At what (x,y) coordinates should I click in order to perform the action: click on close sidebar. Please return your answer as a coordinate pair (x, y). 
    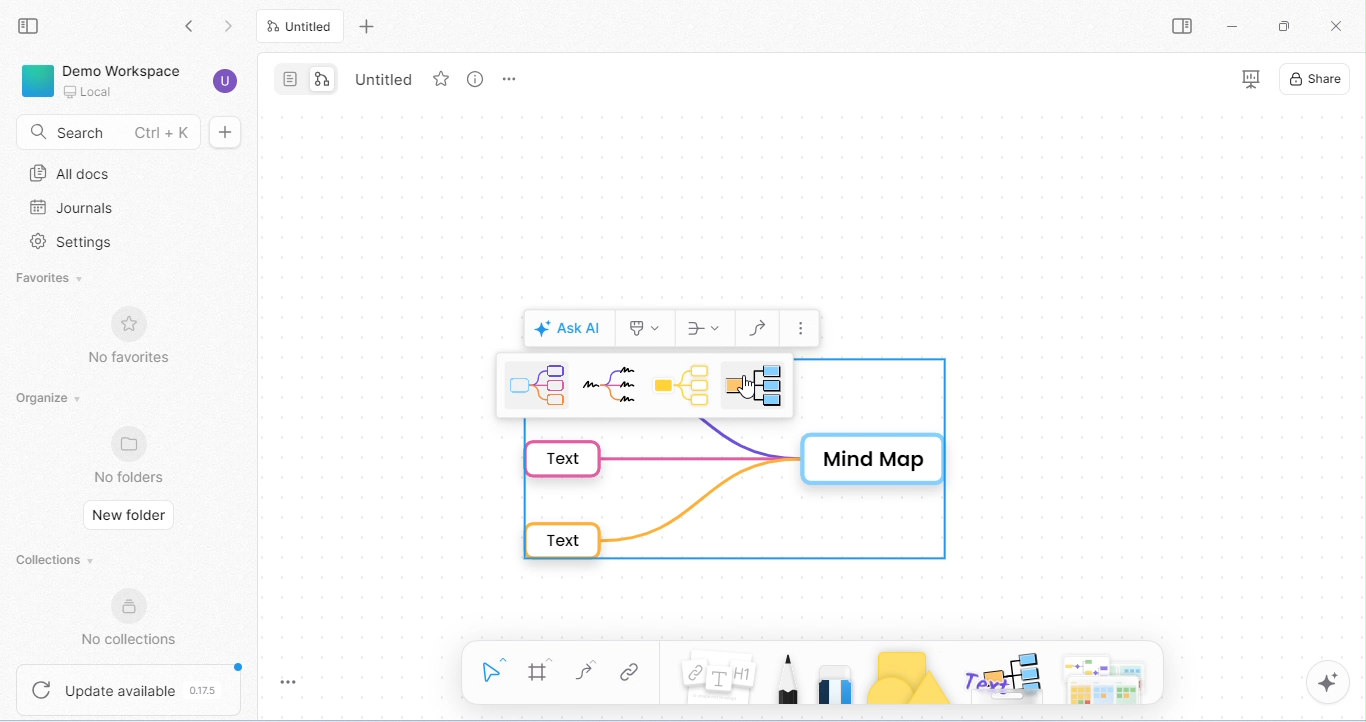
    Looking at the image, I should click on (29, 27).